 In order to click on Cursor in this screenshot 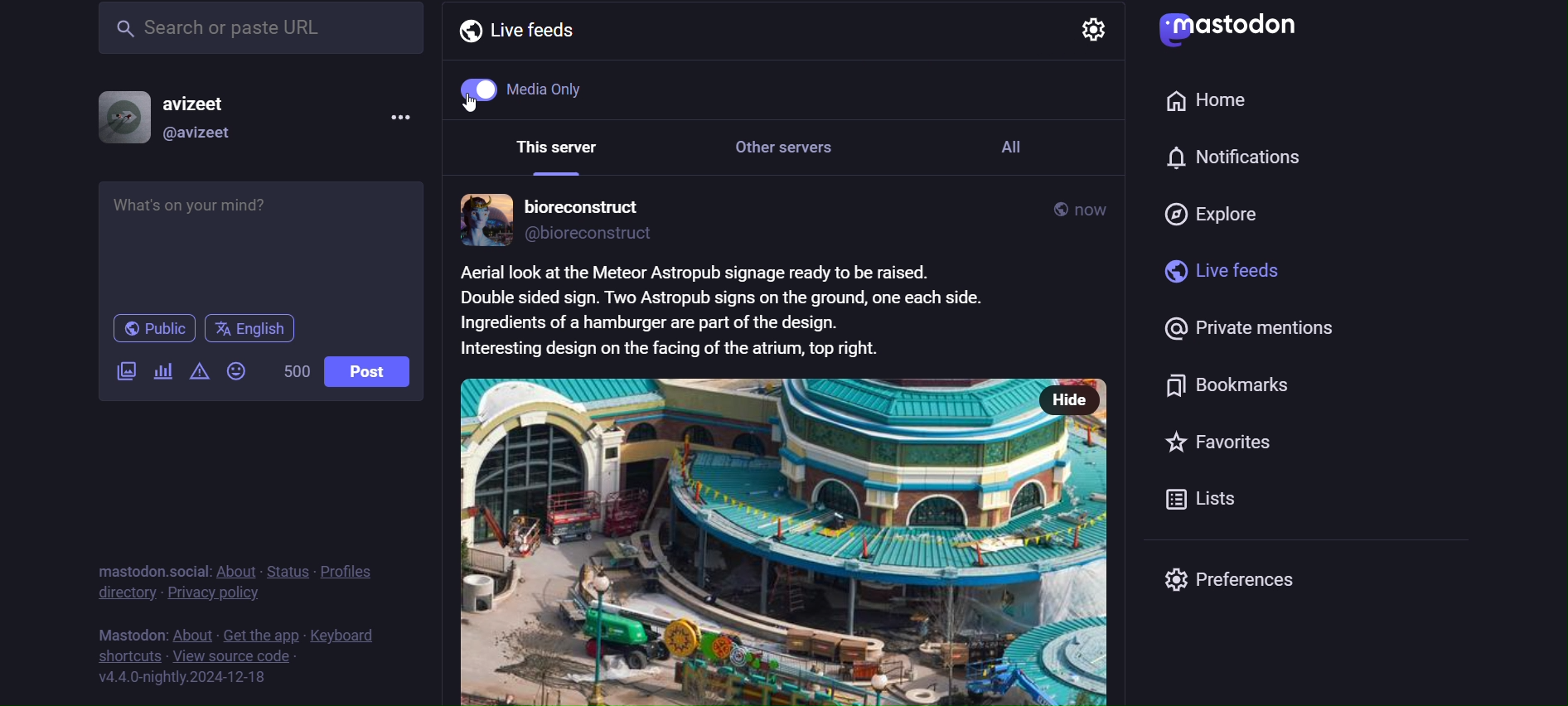, I will do `click(477, 120)`.